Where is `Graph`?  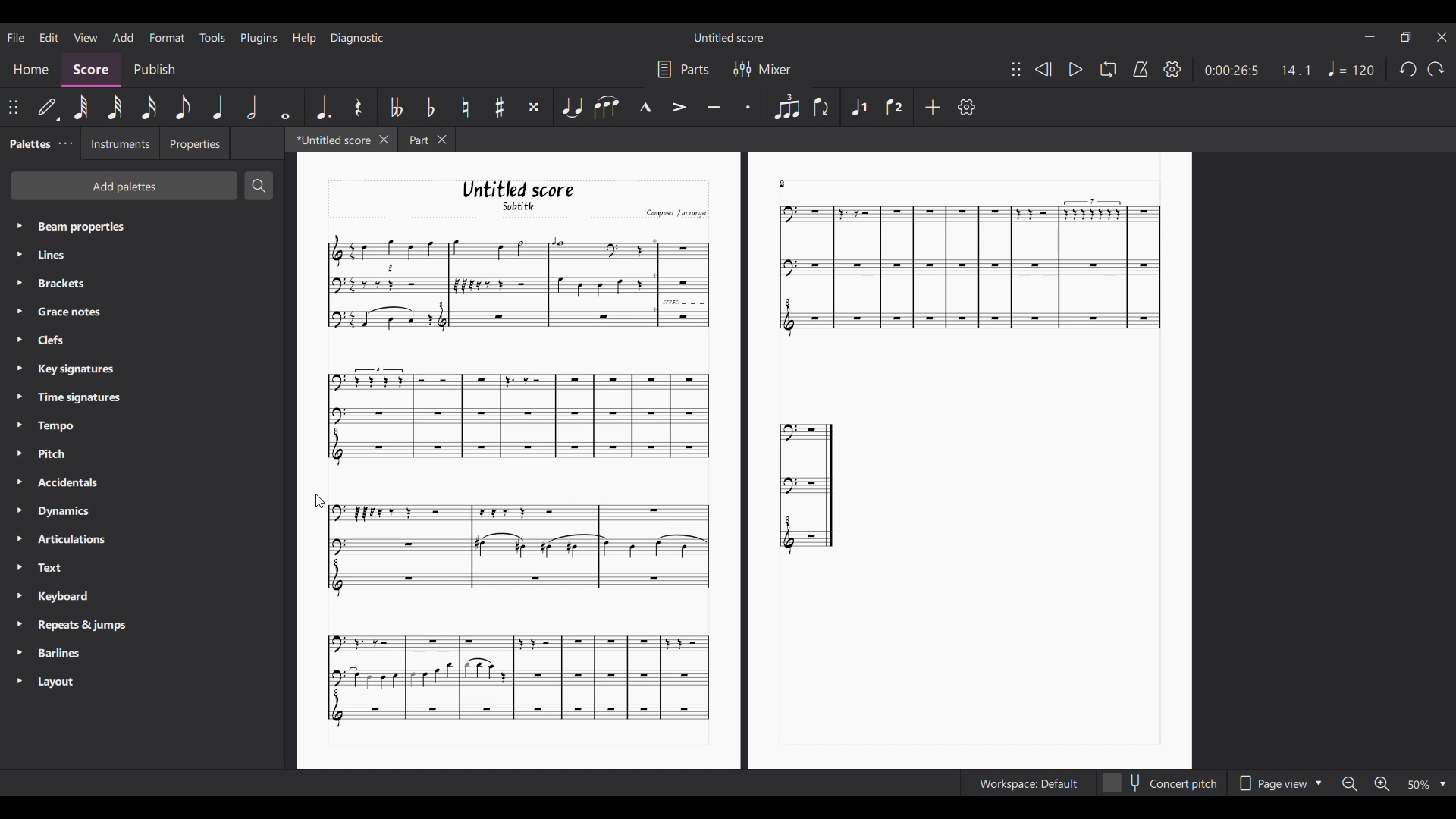 Graph is located at coordinates (516, 417).